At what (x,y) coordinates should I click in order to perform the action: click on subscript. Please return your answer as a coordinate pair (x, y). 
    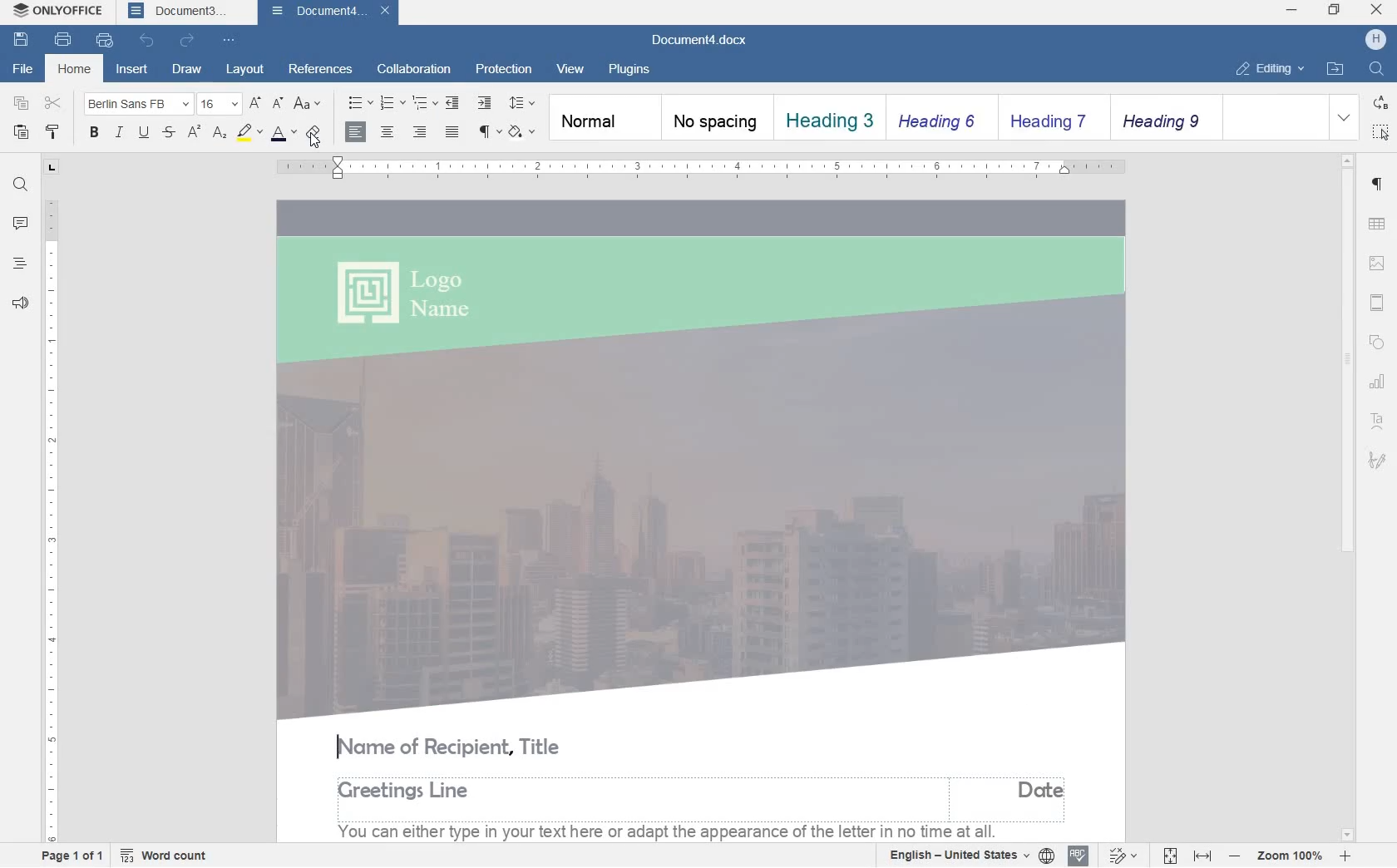
    Looking at the image, I should click on (219, 134).